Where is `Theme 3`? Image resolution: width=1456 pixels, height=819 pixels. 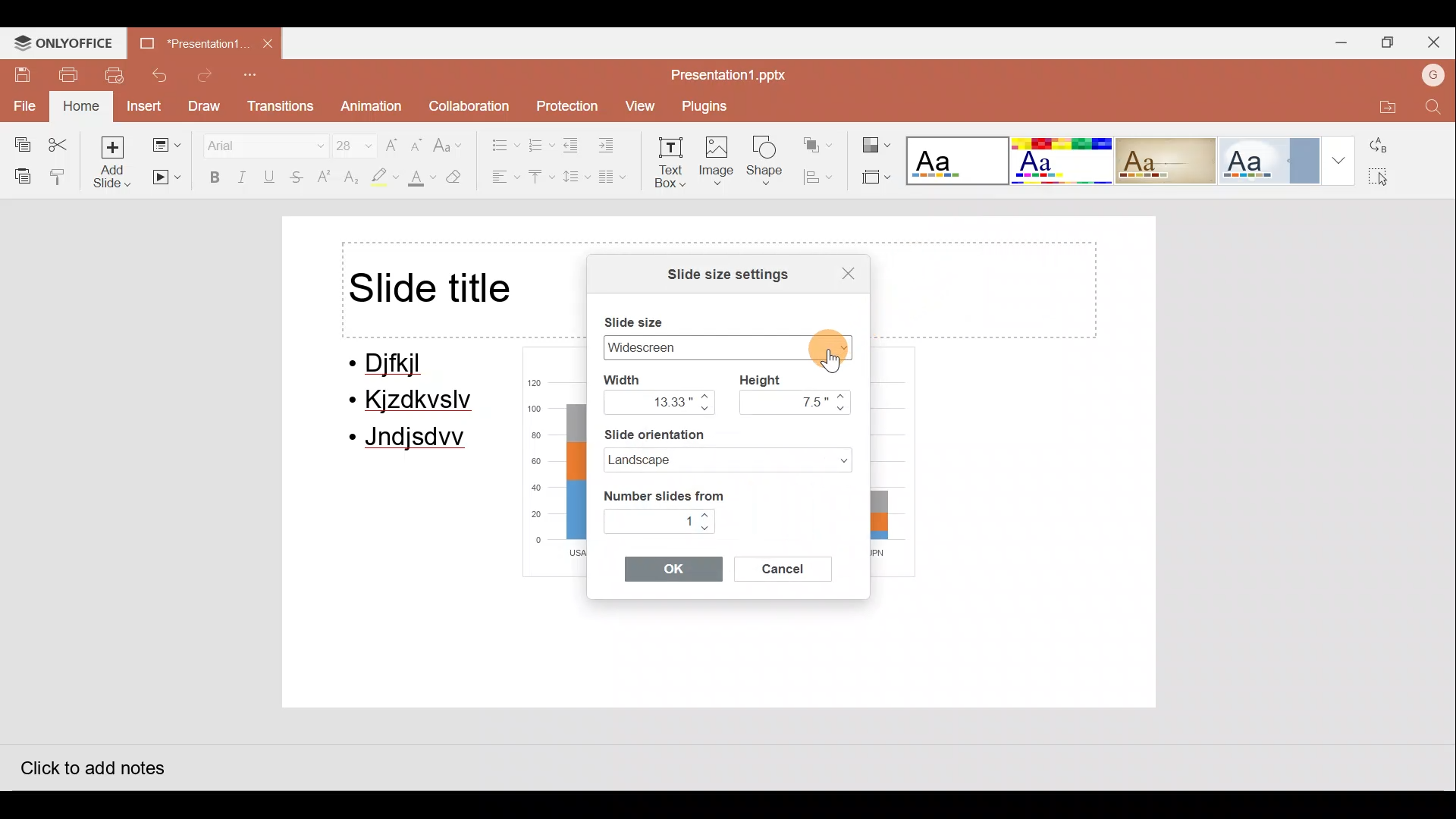 Theme 3 is located at coordinates (1175, 160).